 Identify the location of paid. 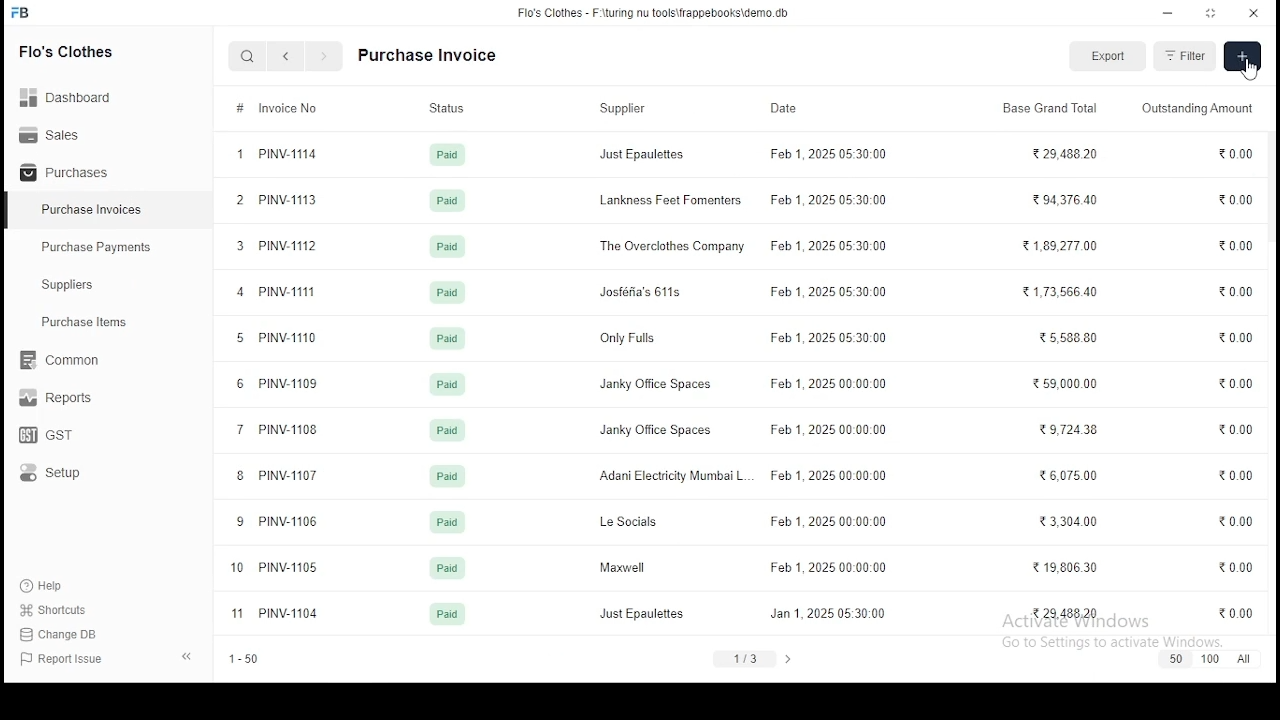
(449, 613).